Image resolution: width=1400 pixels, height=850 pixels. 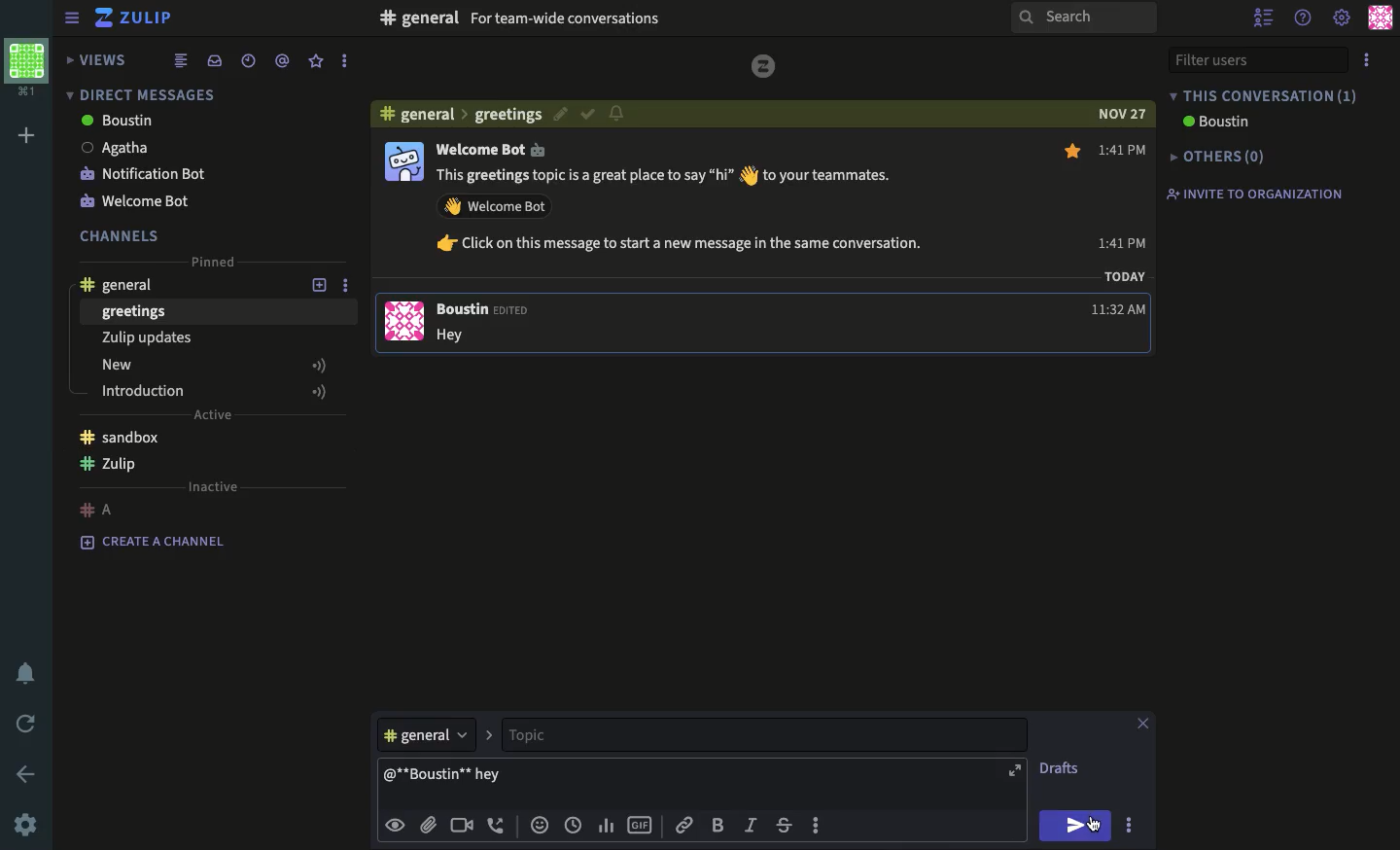 I want to click on introduction, so click(x=216, y=391).